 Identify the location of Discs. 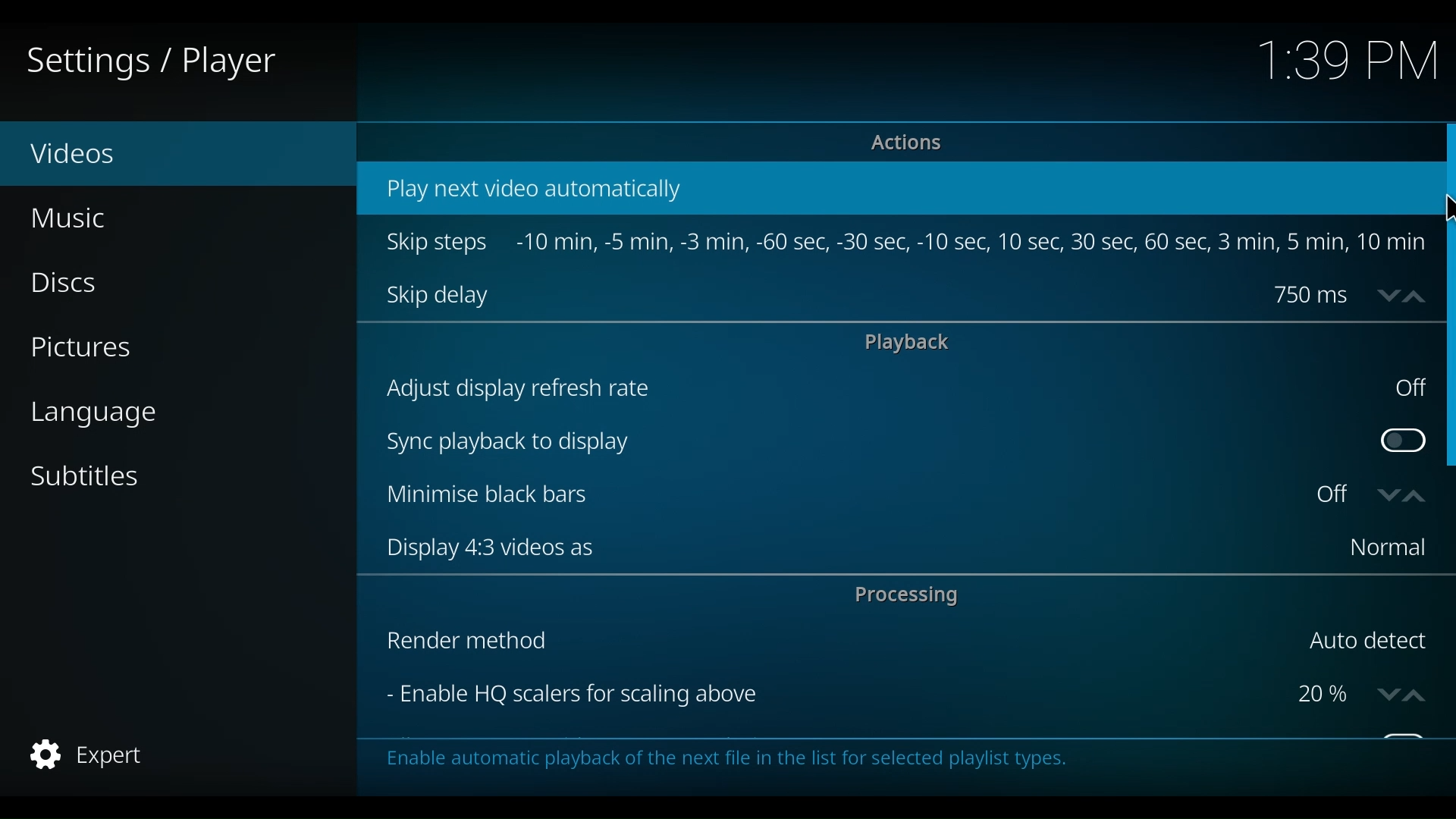
(74, 284).